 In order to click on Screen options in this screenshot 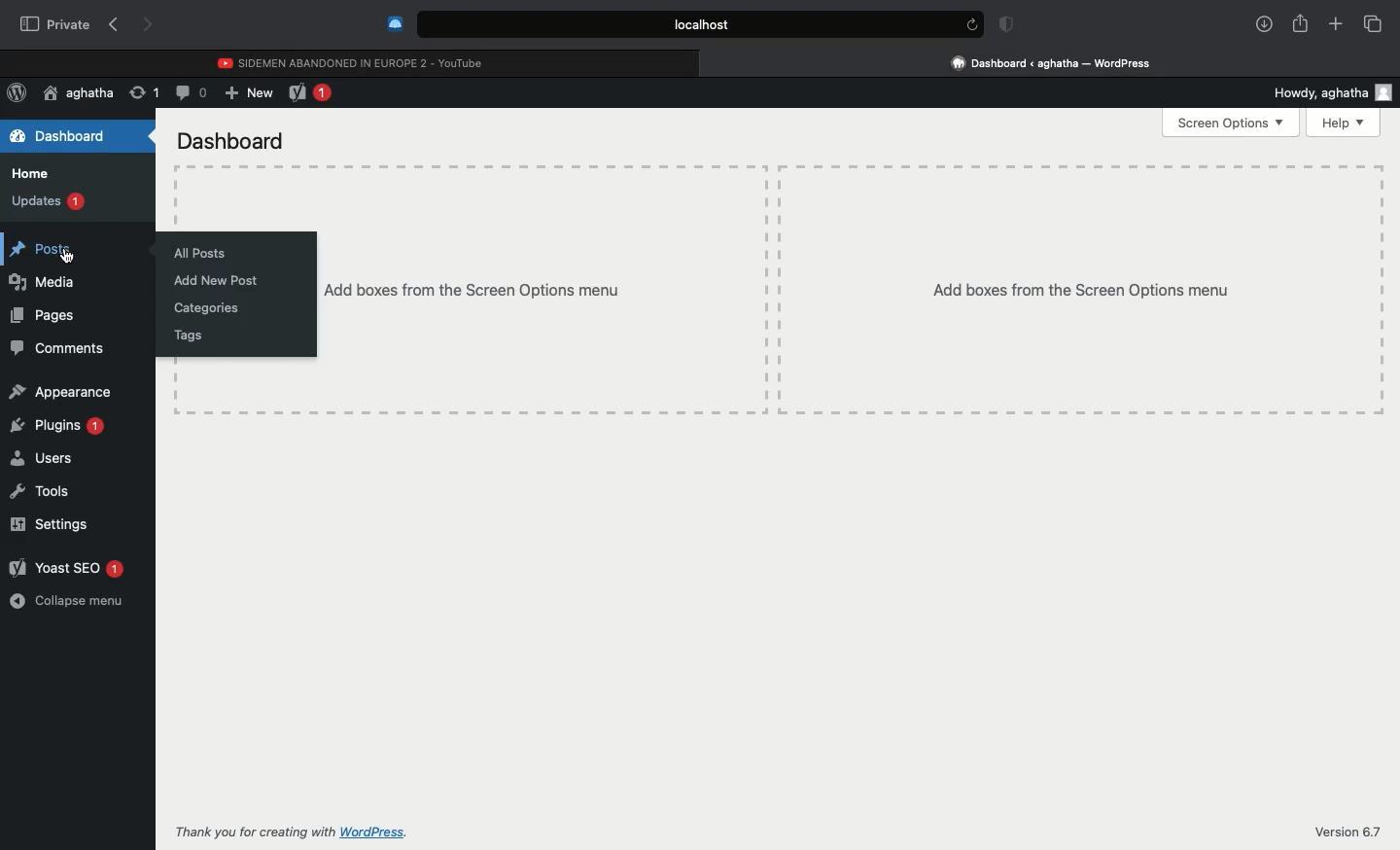, I will do `click(1234, 122)`.